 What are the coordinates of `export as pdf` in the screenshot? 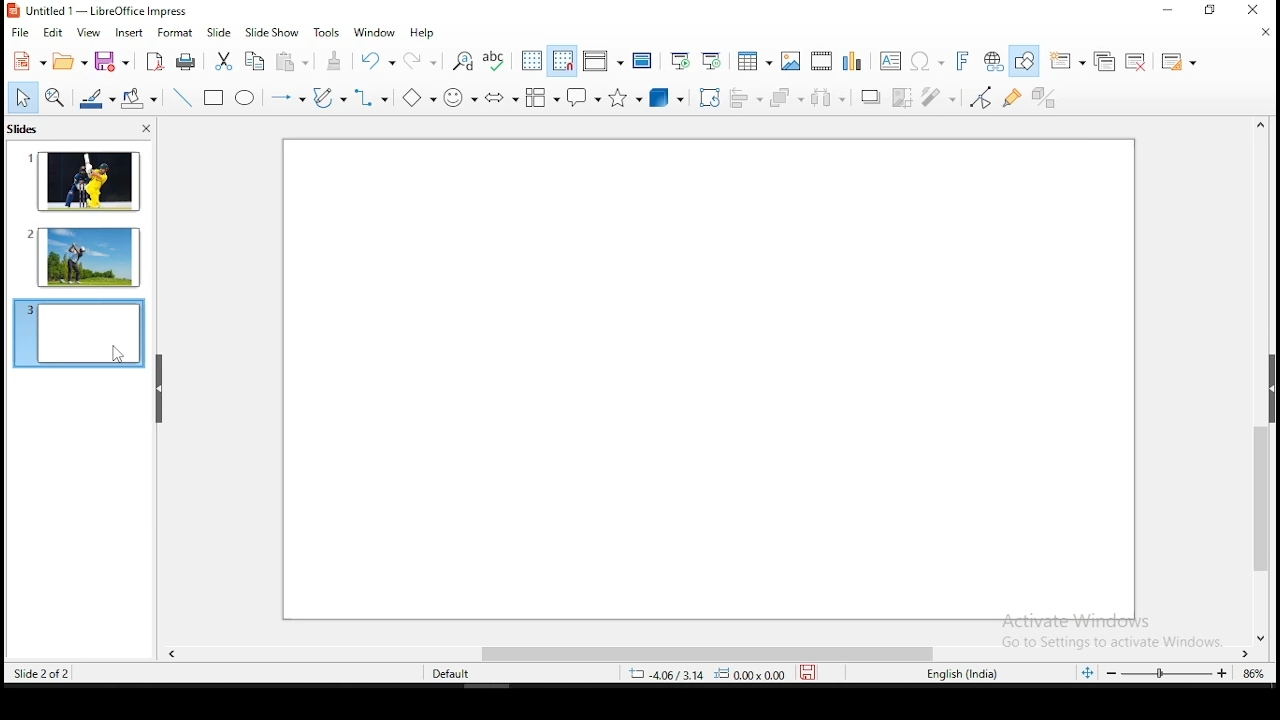 It's located at (152, 61).